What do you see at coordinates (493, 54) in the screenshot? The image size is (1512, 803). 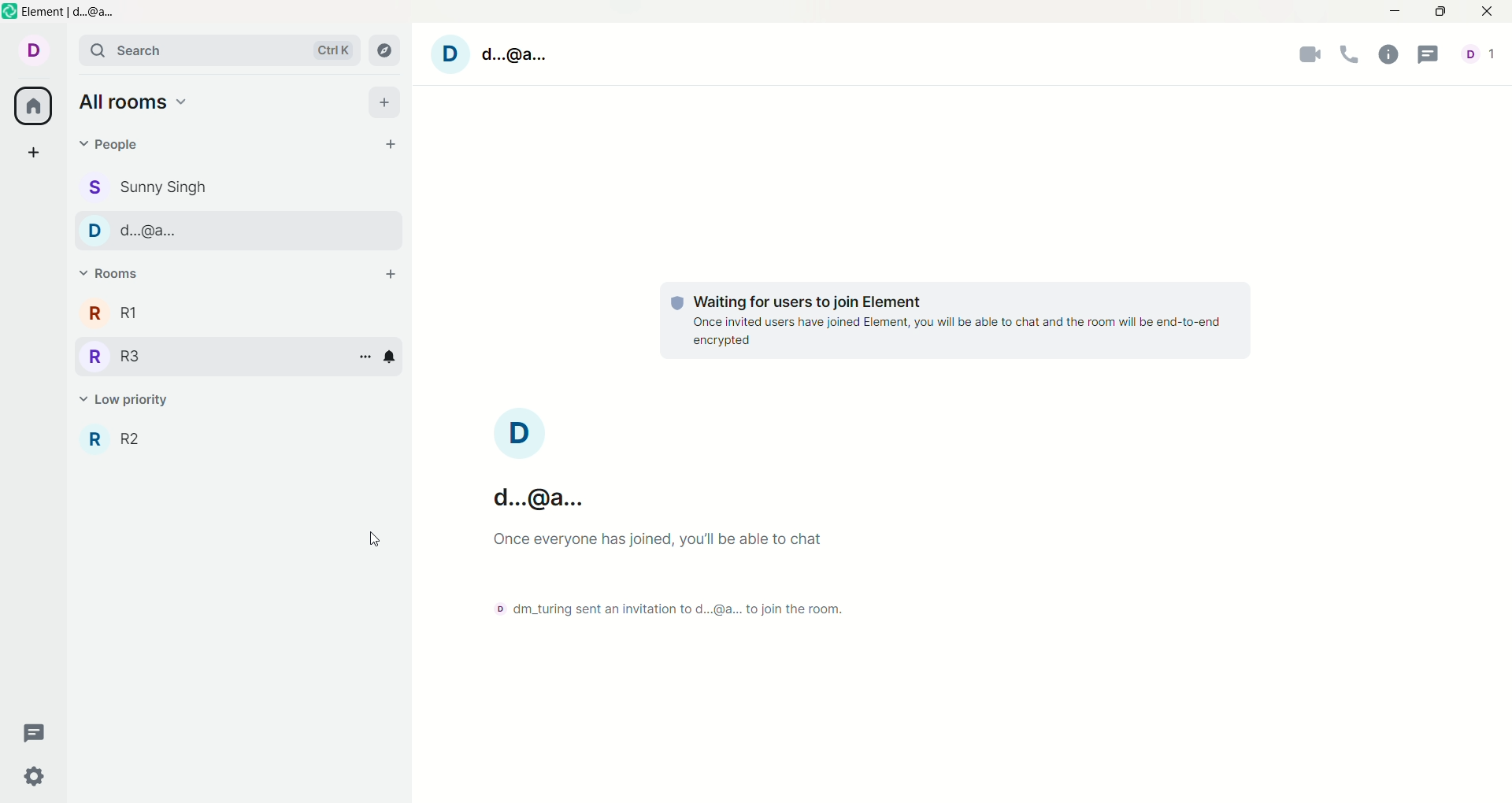 I see `account` at bounding box center [493, 54].